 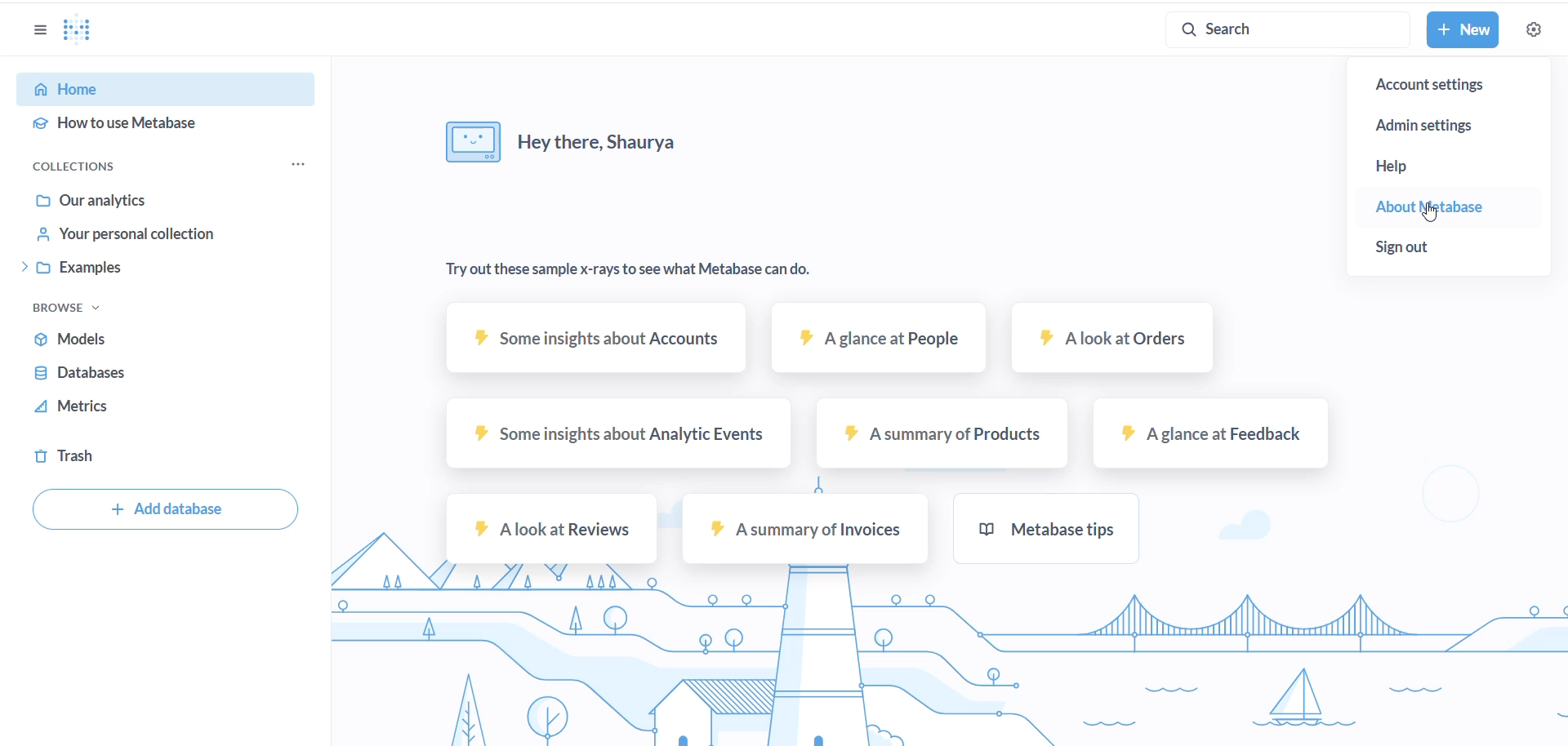 What do you see at coordinates (165, 87) in the screenshot?
I see `home` at bounding box center [165, 87].